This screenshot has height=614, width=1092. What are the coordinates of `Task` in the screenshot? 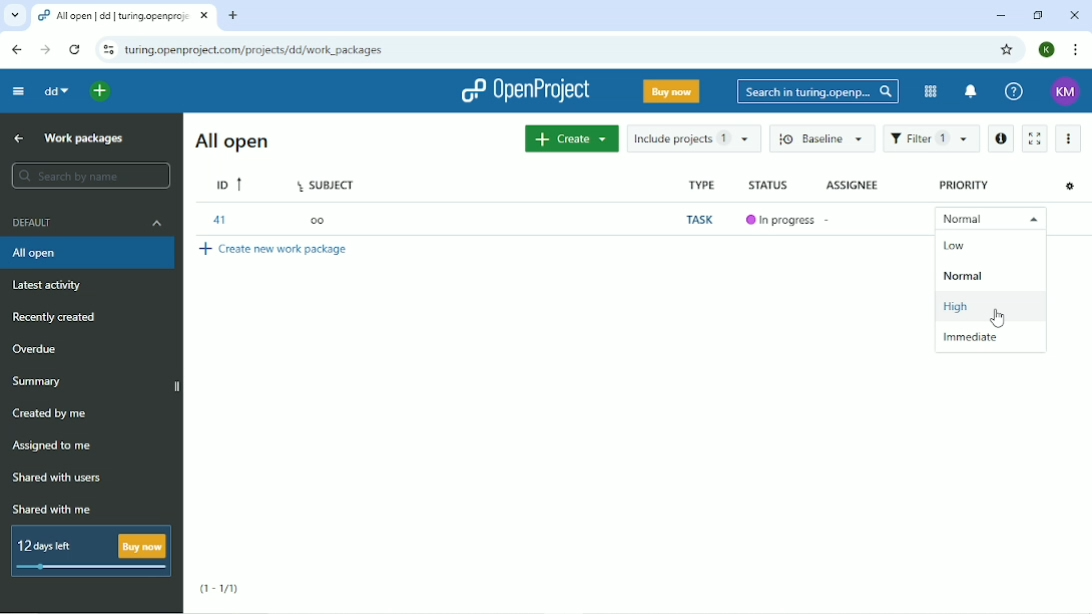 It's located at (695, 221).